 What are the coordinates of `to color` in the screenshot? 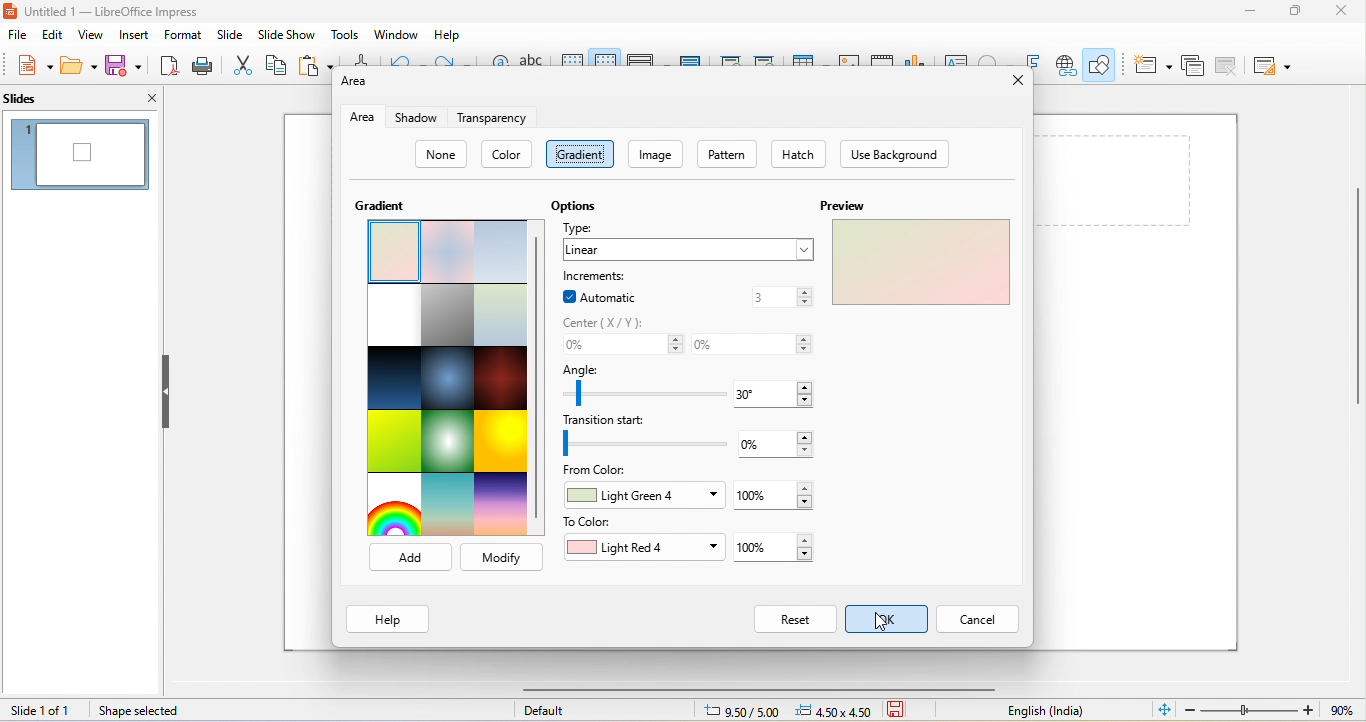 It's located at (603, 522).